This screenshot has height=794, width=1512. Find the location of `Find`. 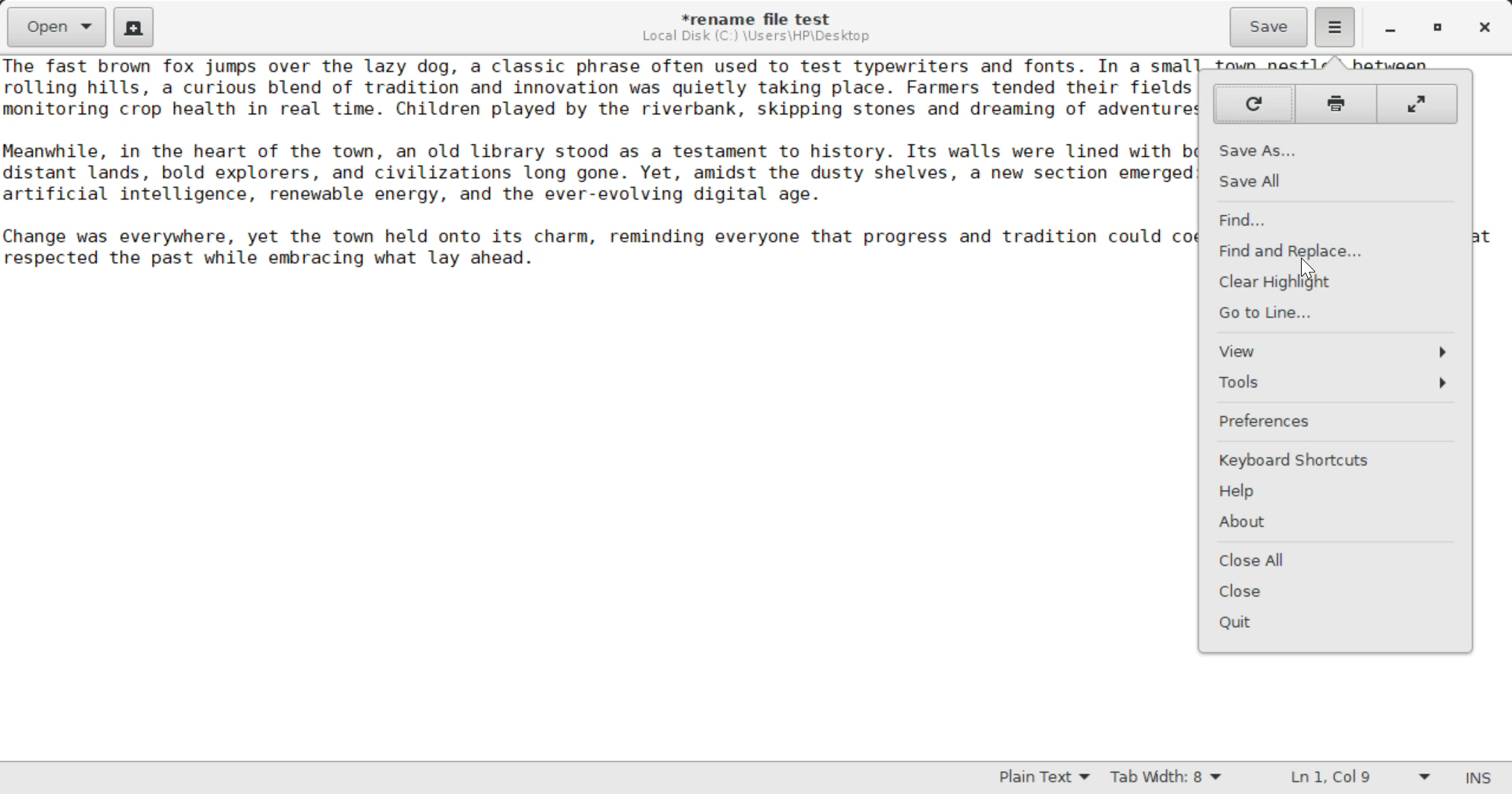

Find is located at coordinates (1328, 221).